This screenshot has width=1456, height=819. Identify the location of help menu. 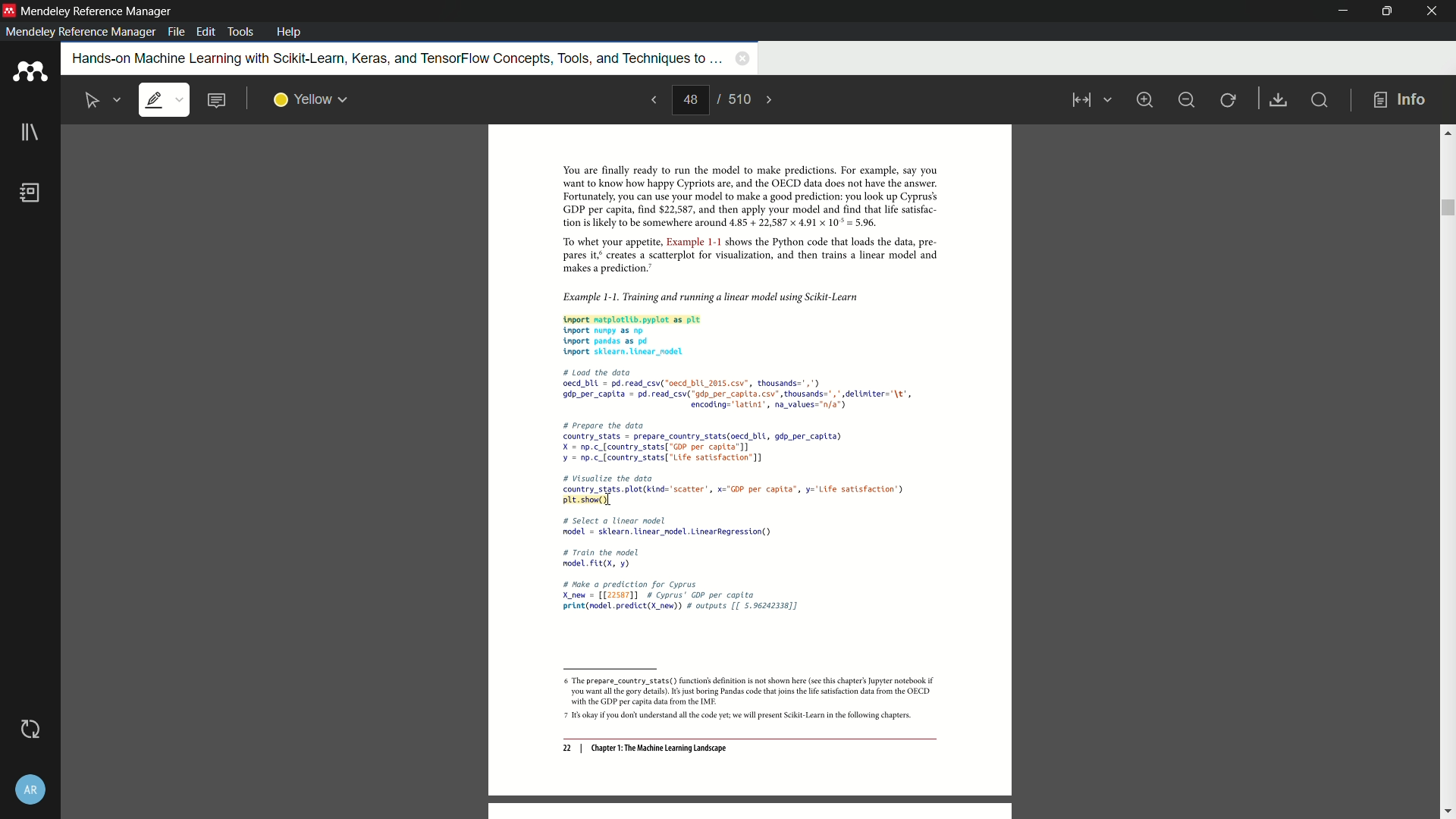
(289, 32).